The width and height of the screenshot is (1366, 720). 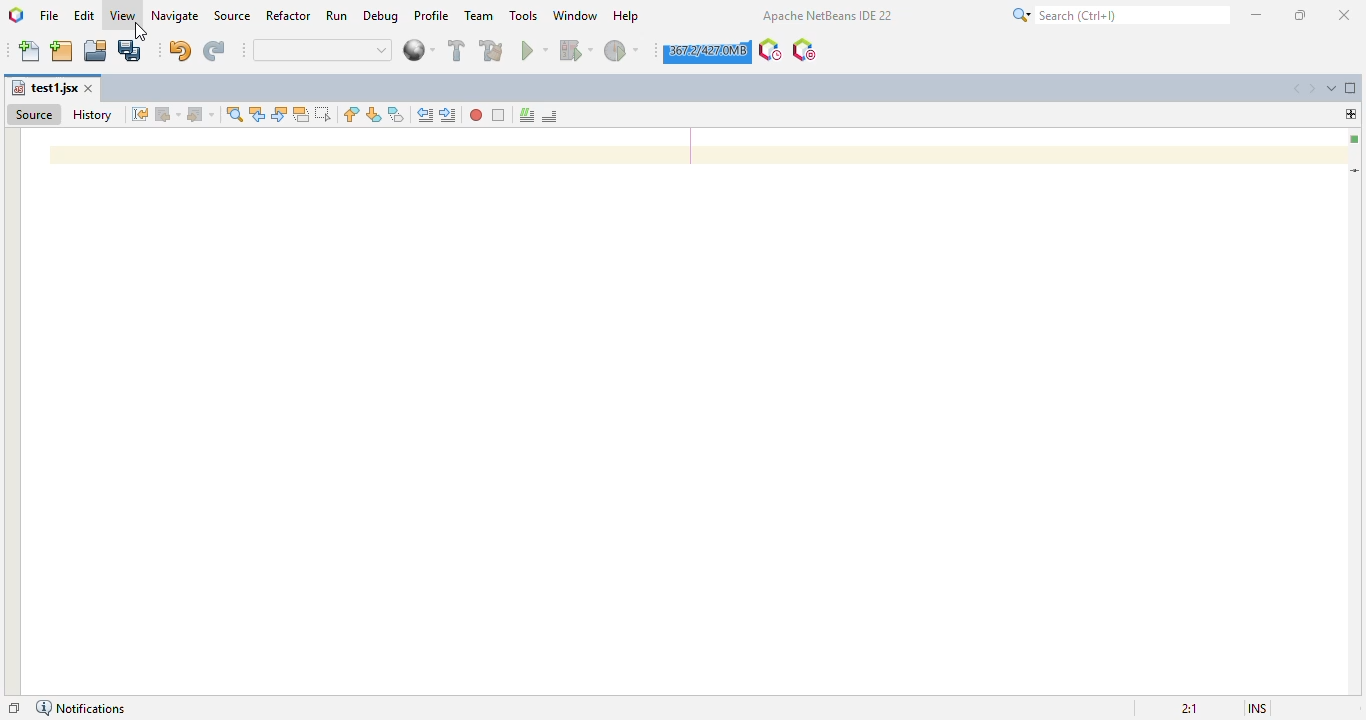 What do you see at coordinates (1355, 170) in the screenshot?
I see `current line` at bounding box center [1355, 170].